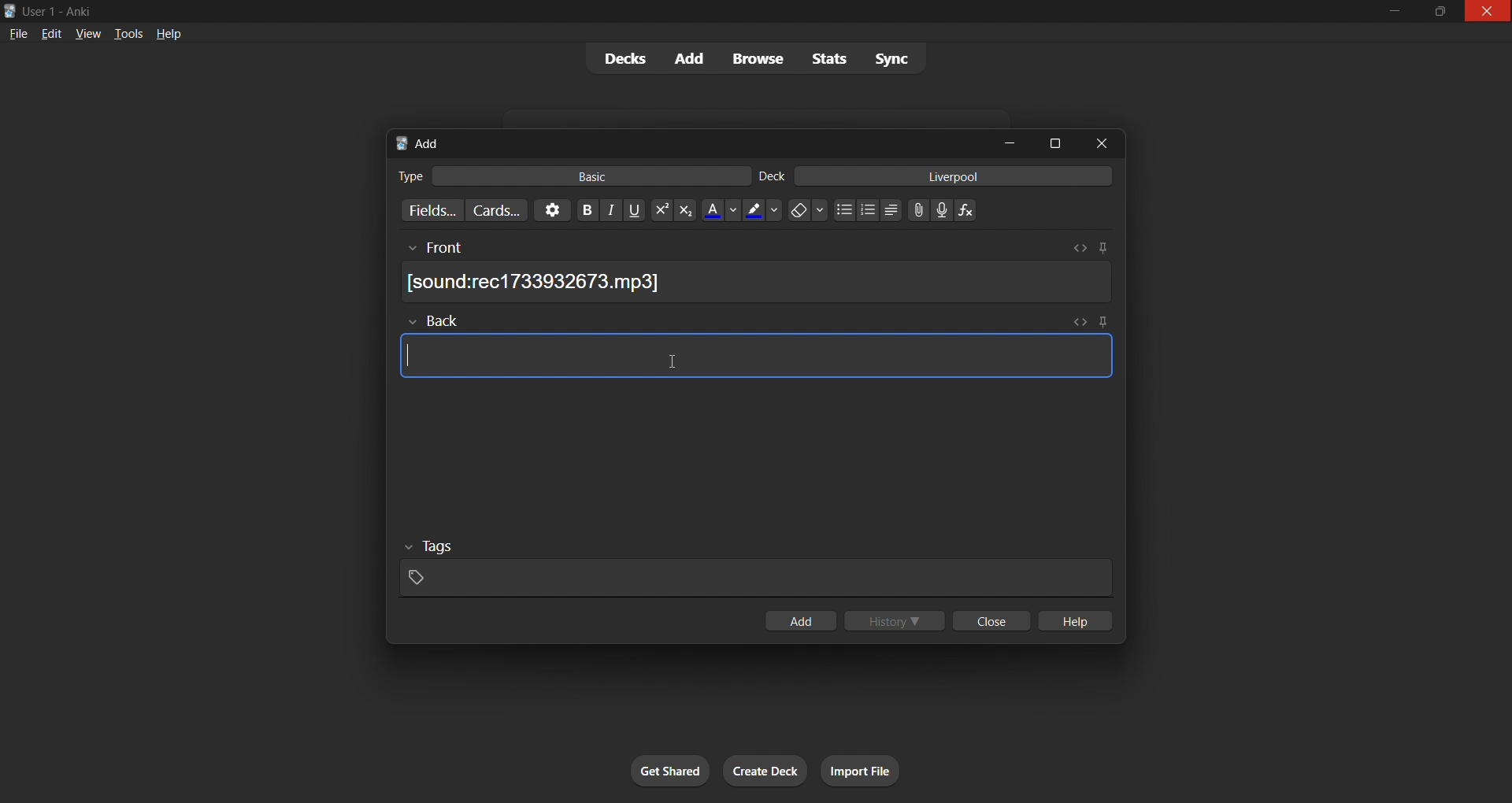 Image resolution: width=1512 pixels, height=803 pixels. What do you see at coordinates (762, 57) in the screenshot?
I see `browse` at bounding box center [762, 57].